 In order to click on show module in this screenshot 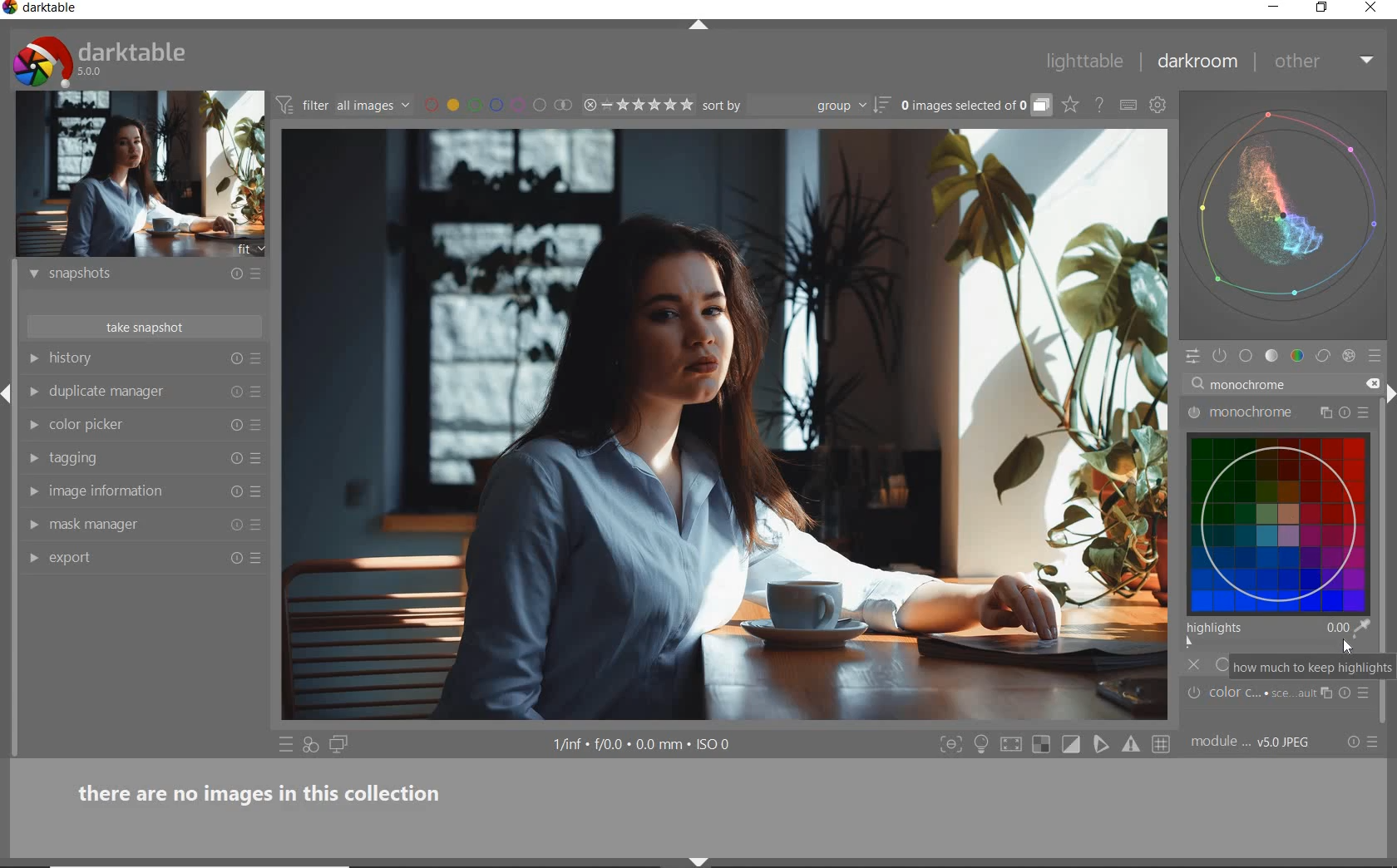, I will do `click(33, 392)`.